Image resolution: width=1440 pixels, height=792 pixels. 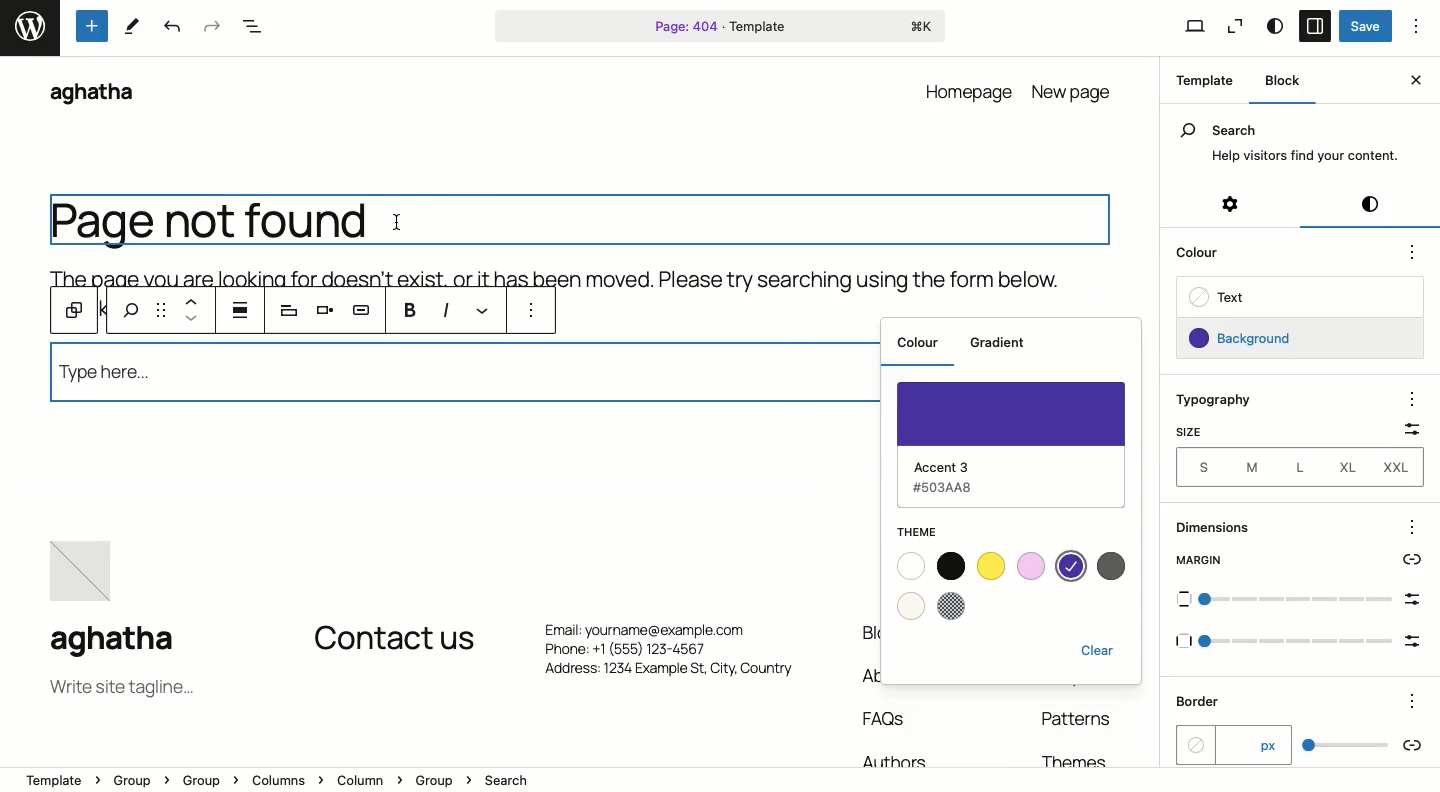 I want to click on AI, so click(x=363, y=312).